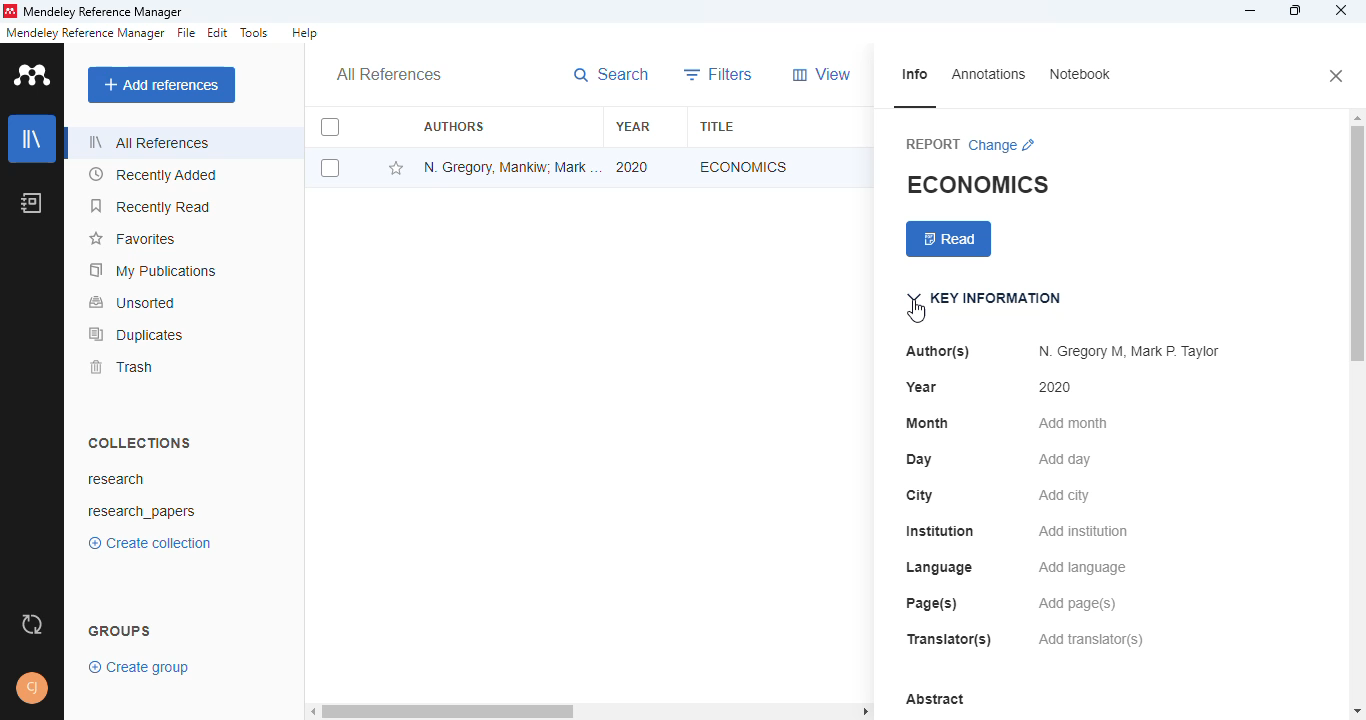 The height and width of the screenshot is (720, 1366). I want to click on all references, so click(145, 142).